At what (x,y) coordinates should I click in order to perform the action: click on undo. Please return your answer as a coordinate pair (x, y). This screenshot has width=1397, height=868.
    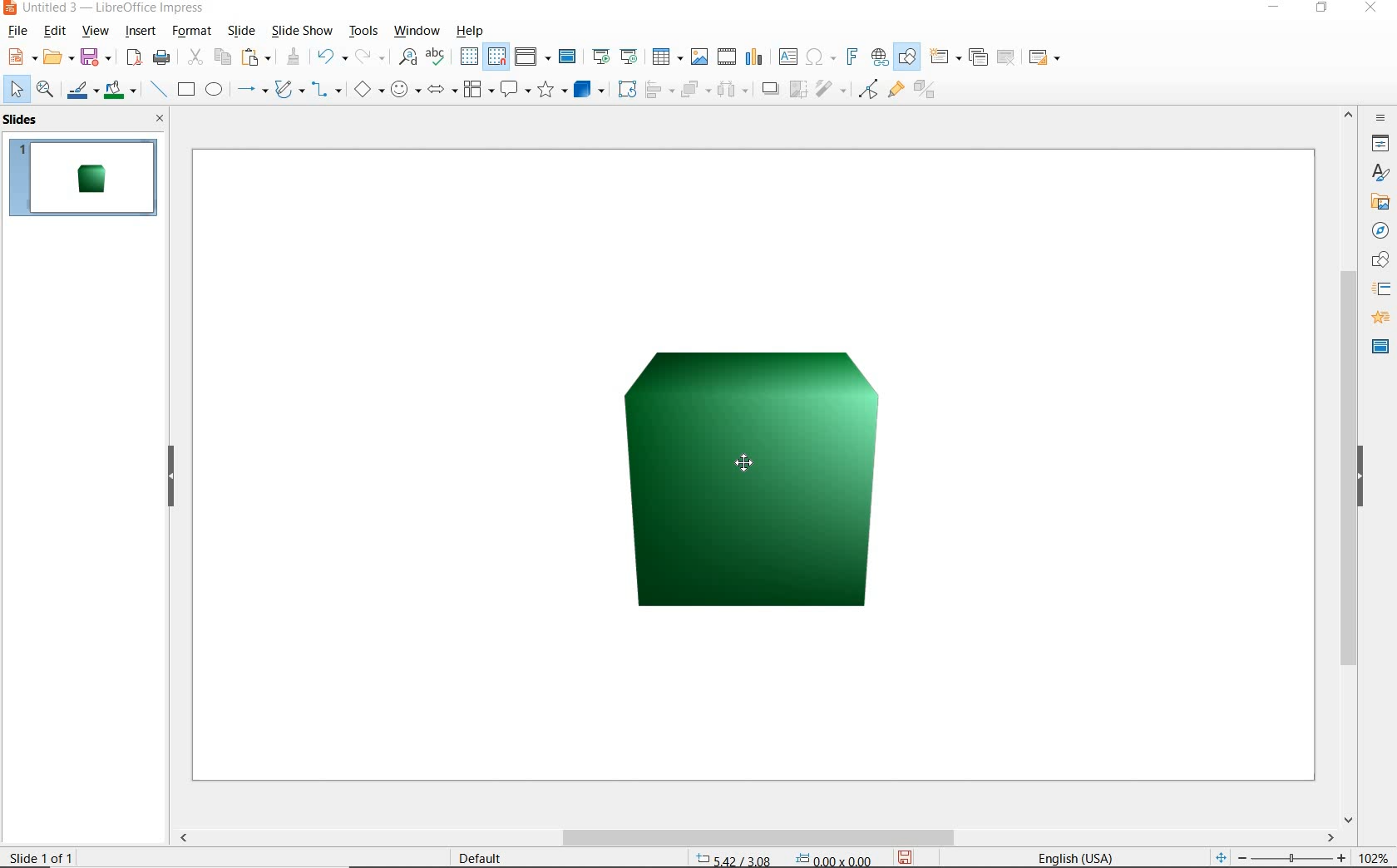
    Looking at the image, I should click on (333, 57).